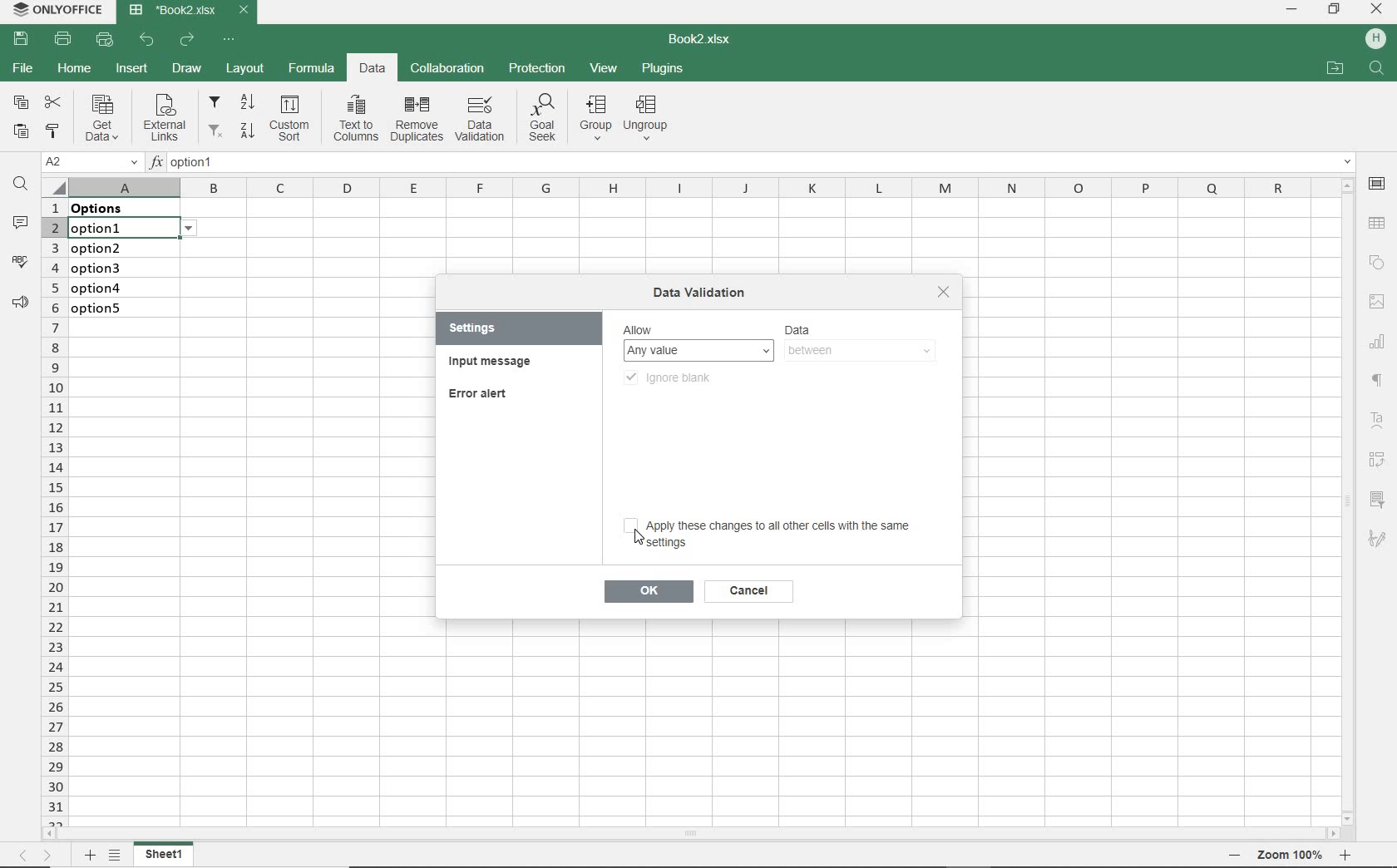 The image size is (1397, 868). Describe the element at coordinates (540, 121) in the screenshot. I see `Goal` at that location.